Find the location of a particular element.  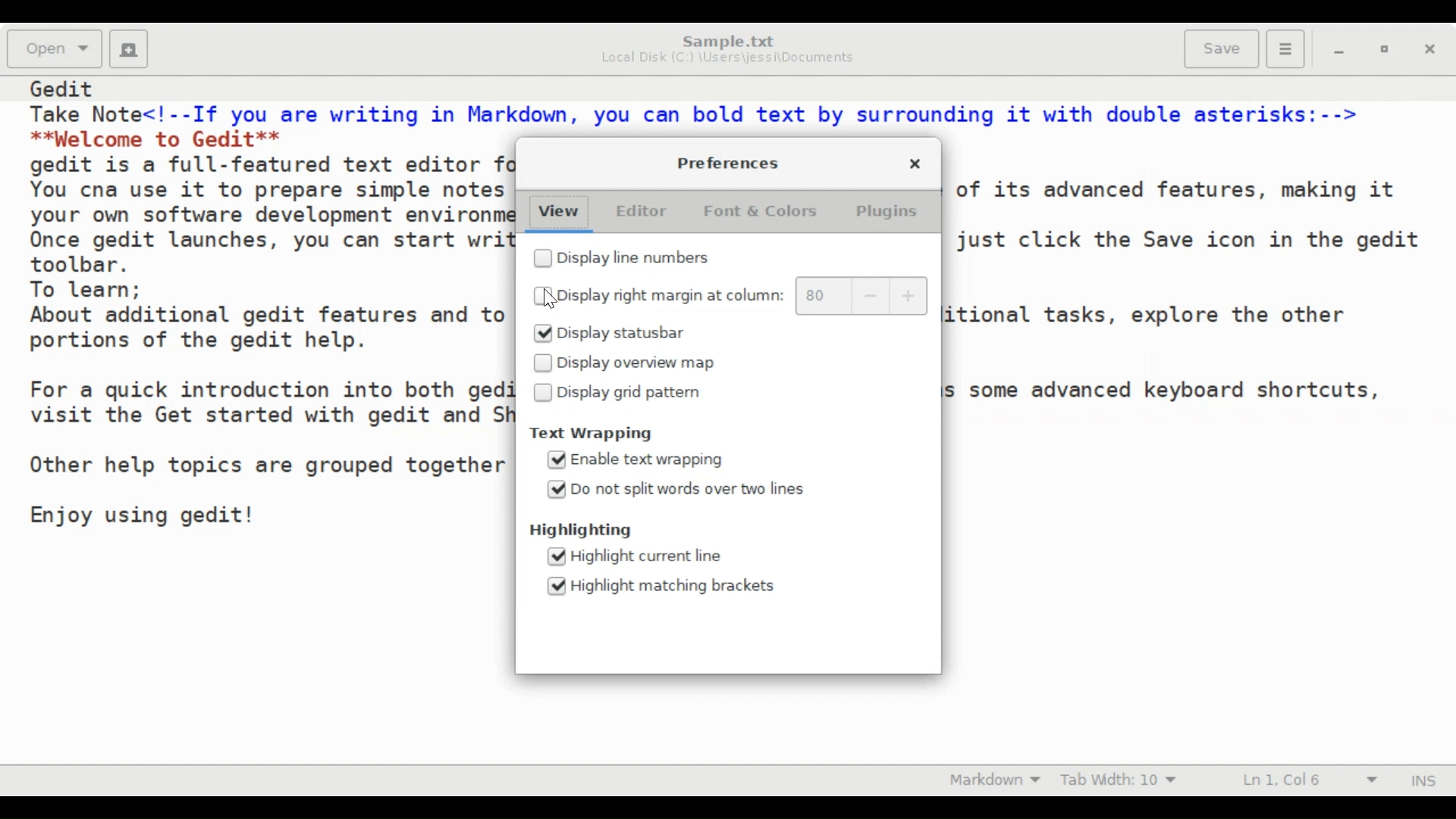

(un)select Highlight current line is located at coordinates (643, 557).